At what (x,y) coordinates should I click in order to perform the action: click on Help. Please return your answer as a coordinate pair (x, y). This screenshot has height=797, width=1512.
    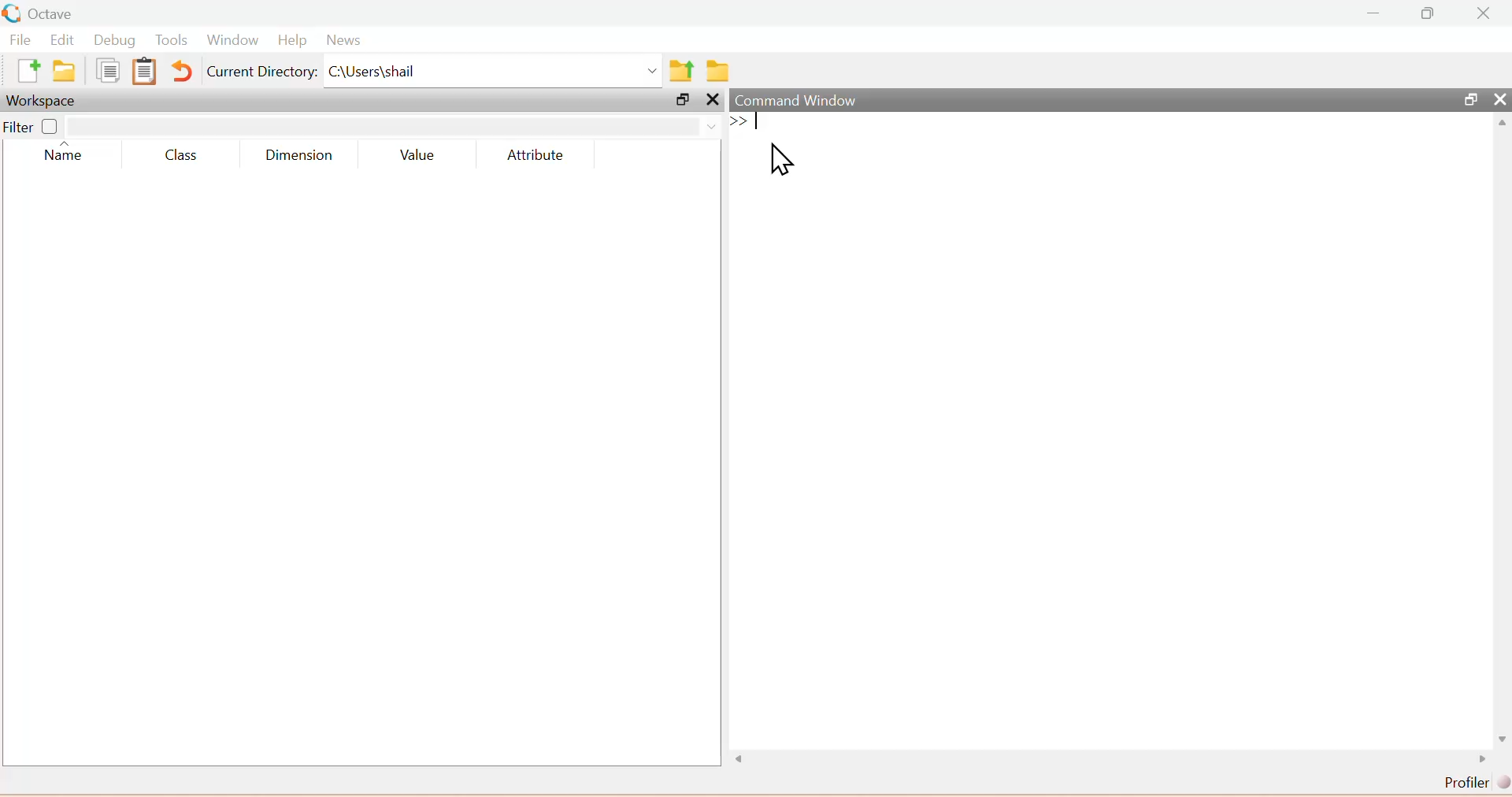
    Looking at the image, I should click on (291, 42).